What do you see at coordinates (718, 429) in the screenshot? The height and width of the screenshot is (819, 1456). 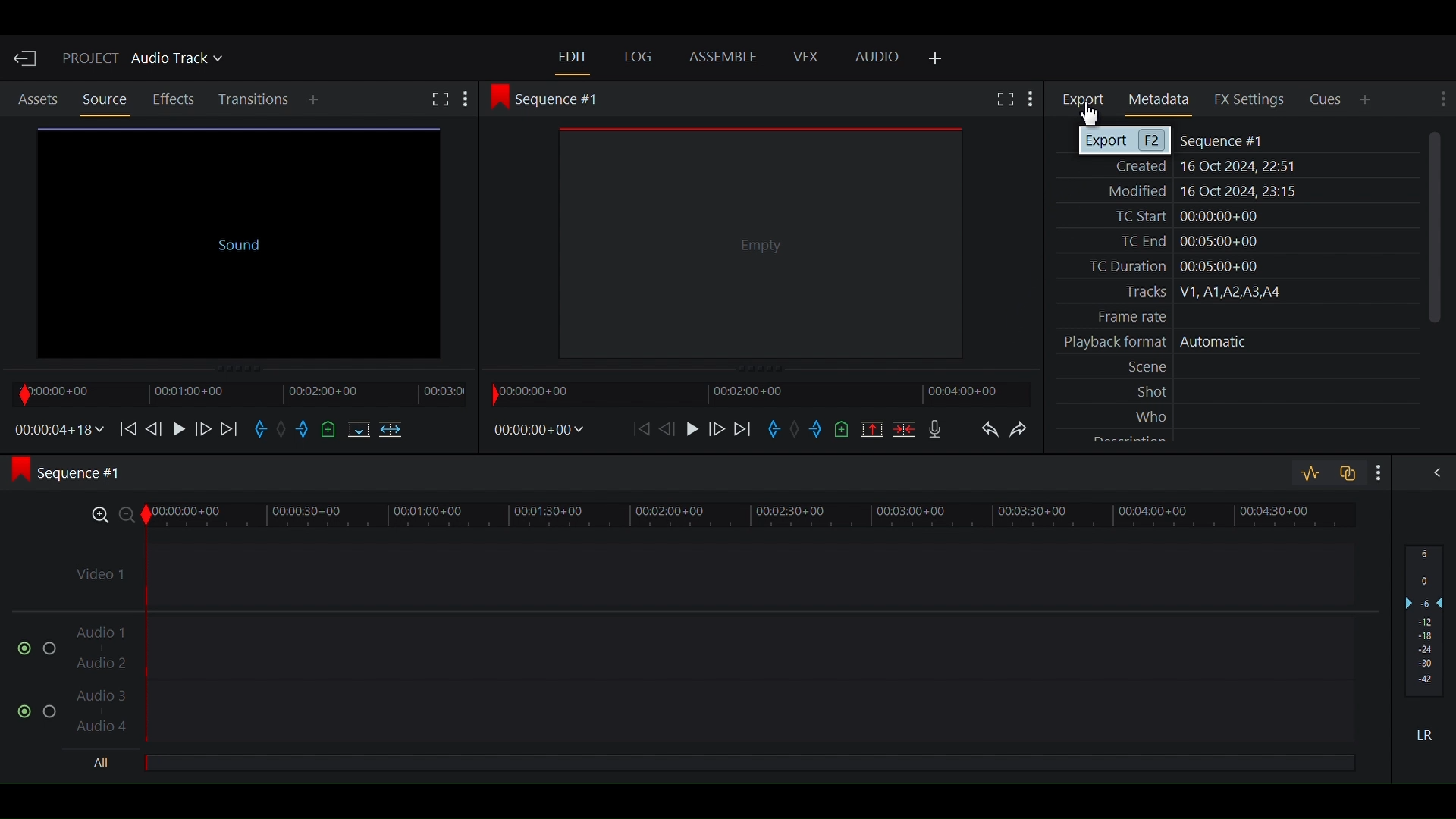 I see `Nudge one frame forward` at bounding box center [718, 429].